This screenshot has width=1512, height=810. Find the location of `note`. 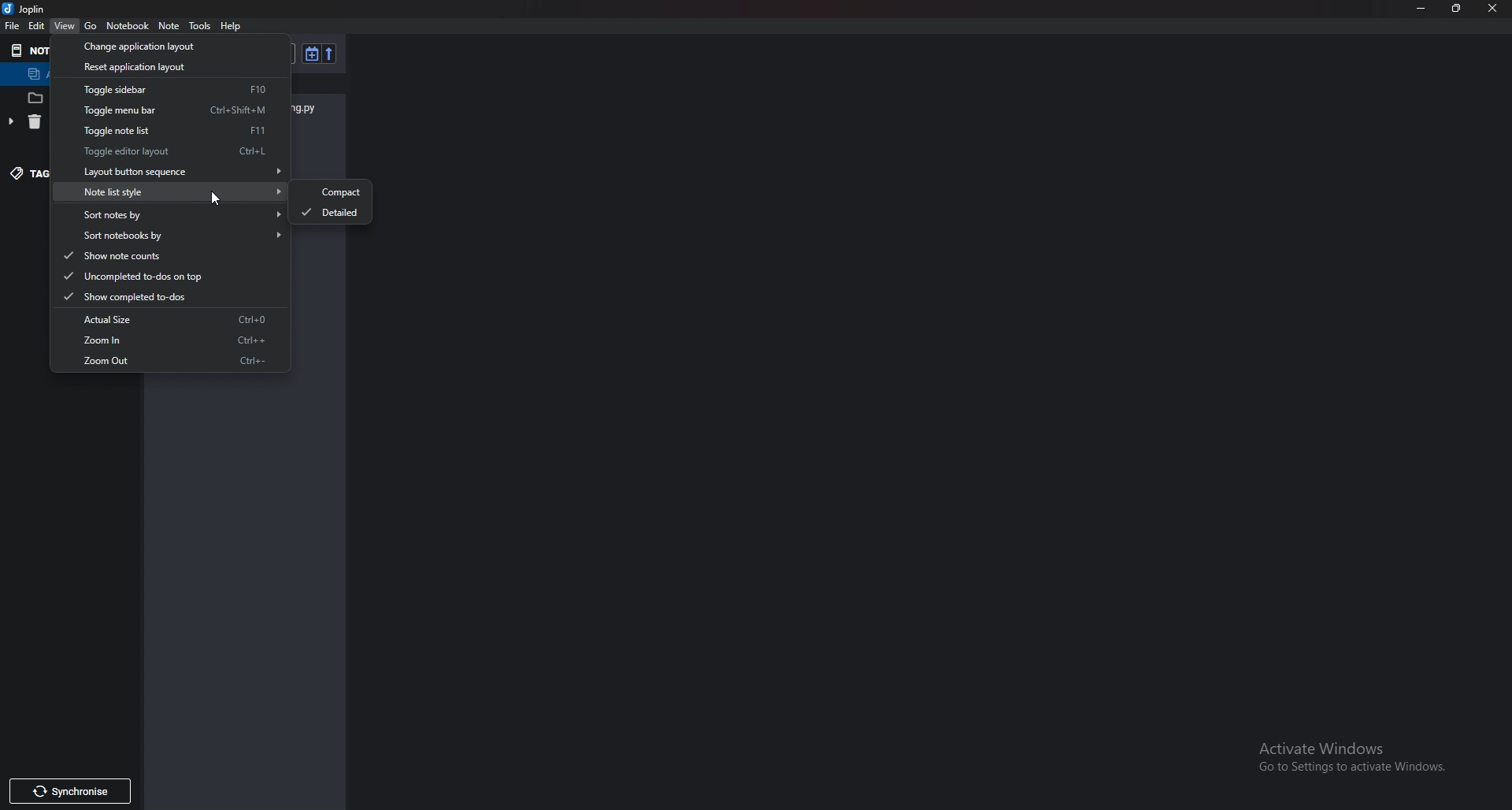

note is located at coordinates (169, 27).